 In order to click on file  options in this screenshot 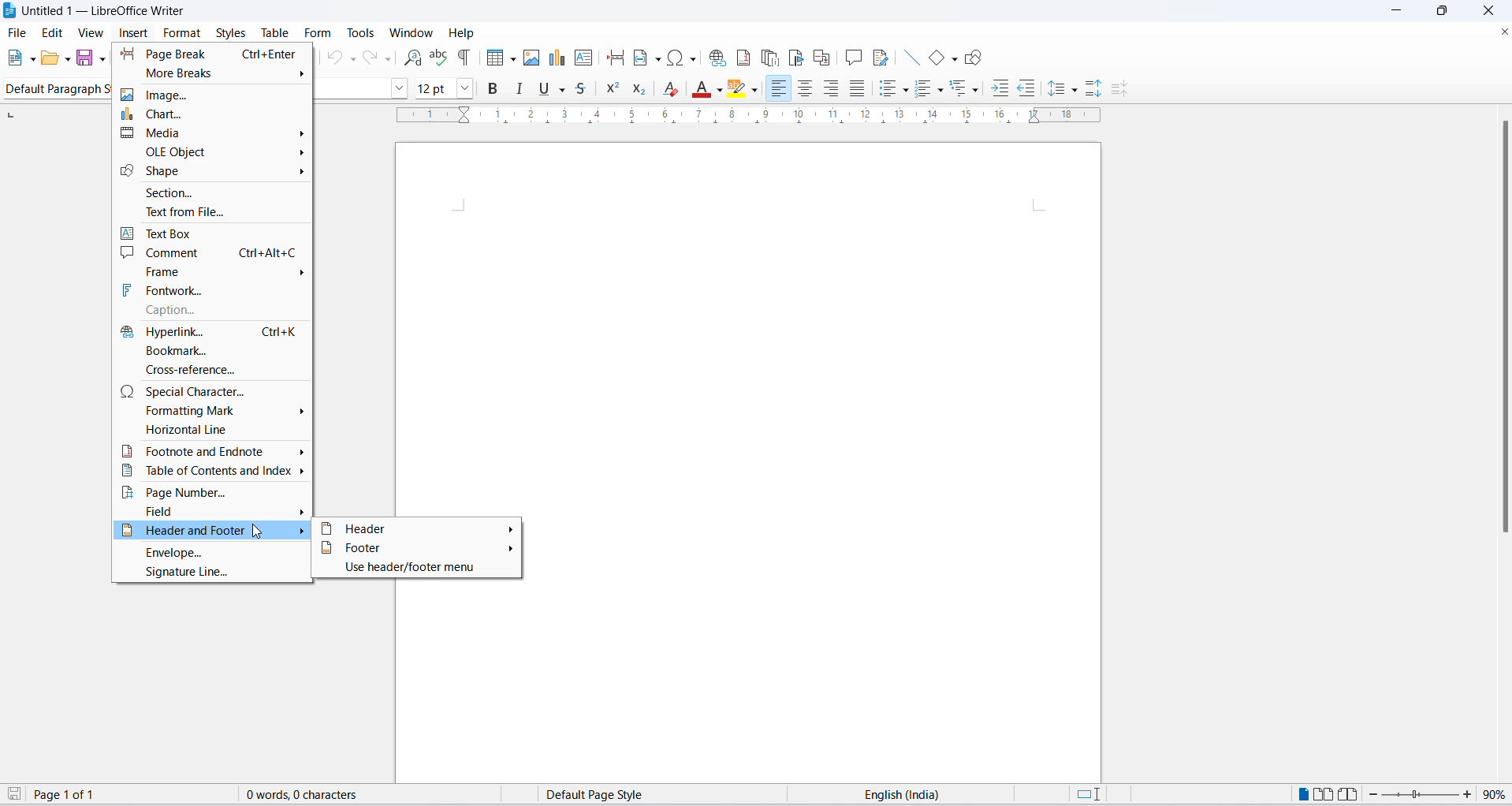, I will do `click(32, 58)`.